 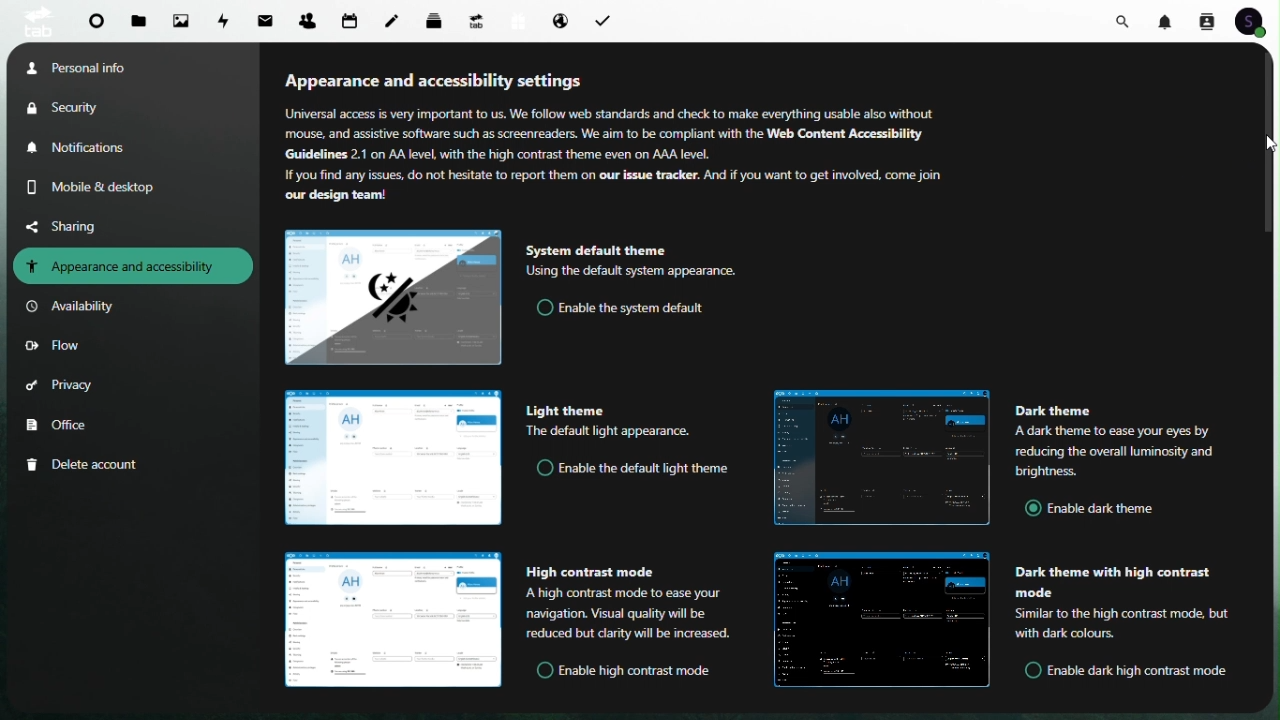 What do you see at coordinates (625, 308) in the screenshot?
I see `Enable the system default` at bounding box center [625, 308].